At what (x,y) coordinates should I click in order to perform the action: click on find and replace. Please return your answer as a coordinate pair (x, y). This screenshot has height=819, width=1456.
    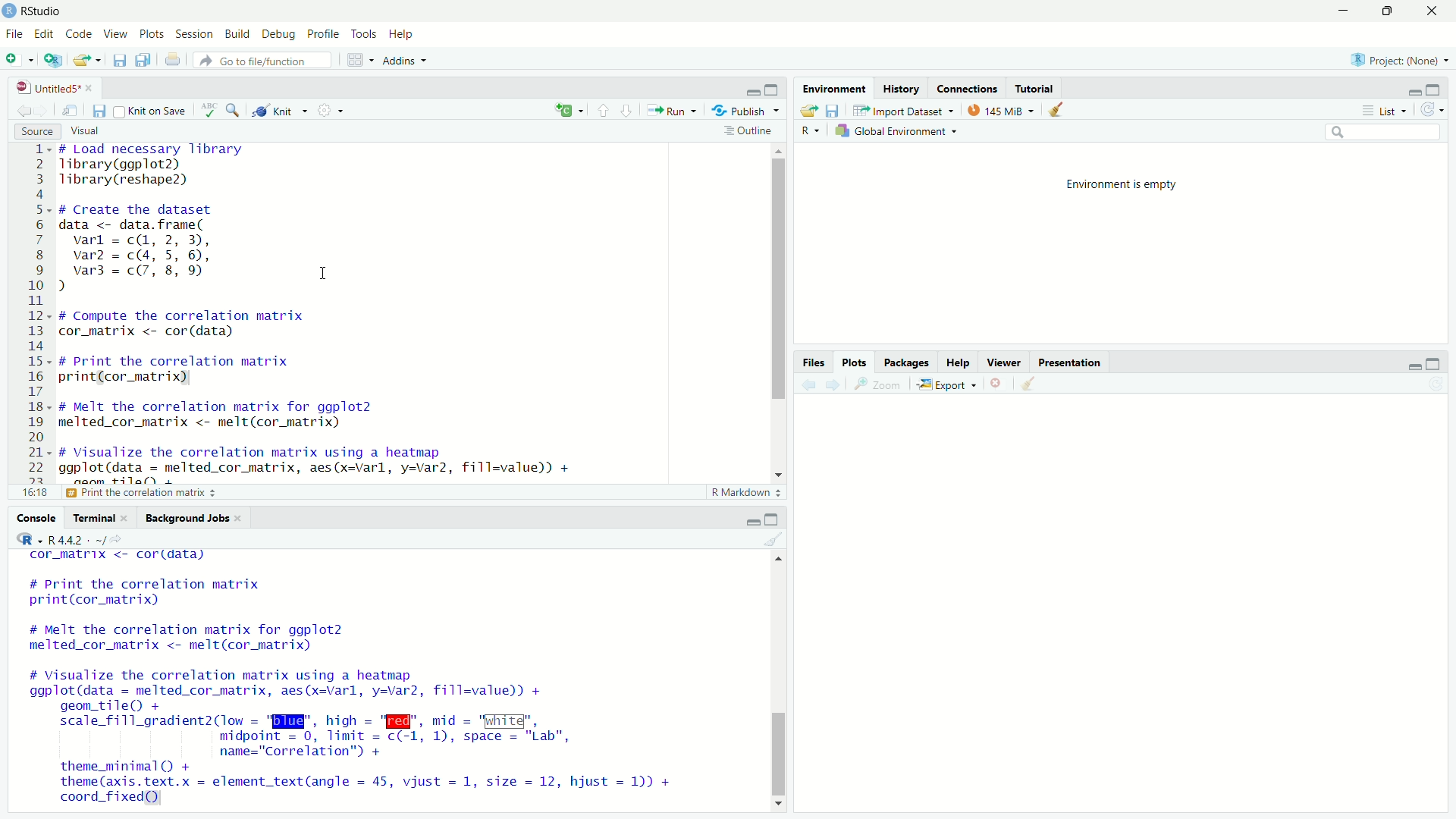
    Looking at the image, I should click on (233, 110).